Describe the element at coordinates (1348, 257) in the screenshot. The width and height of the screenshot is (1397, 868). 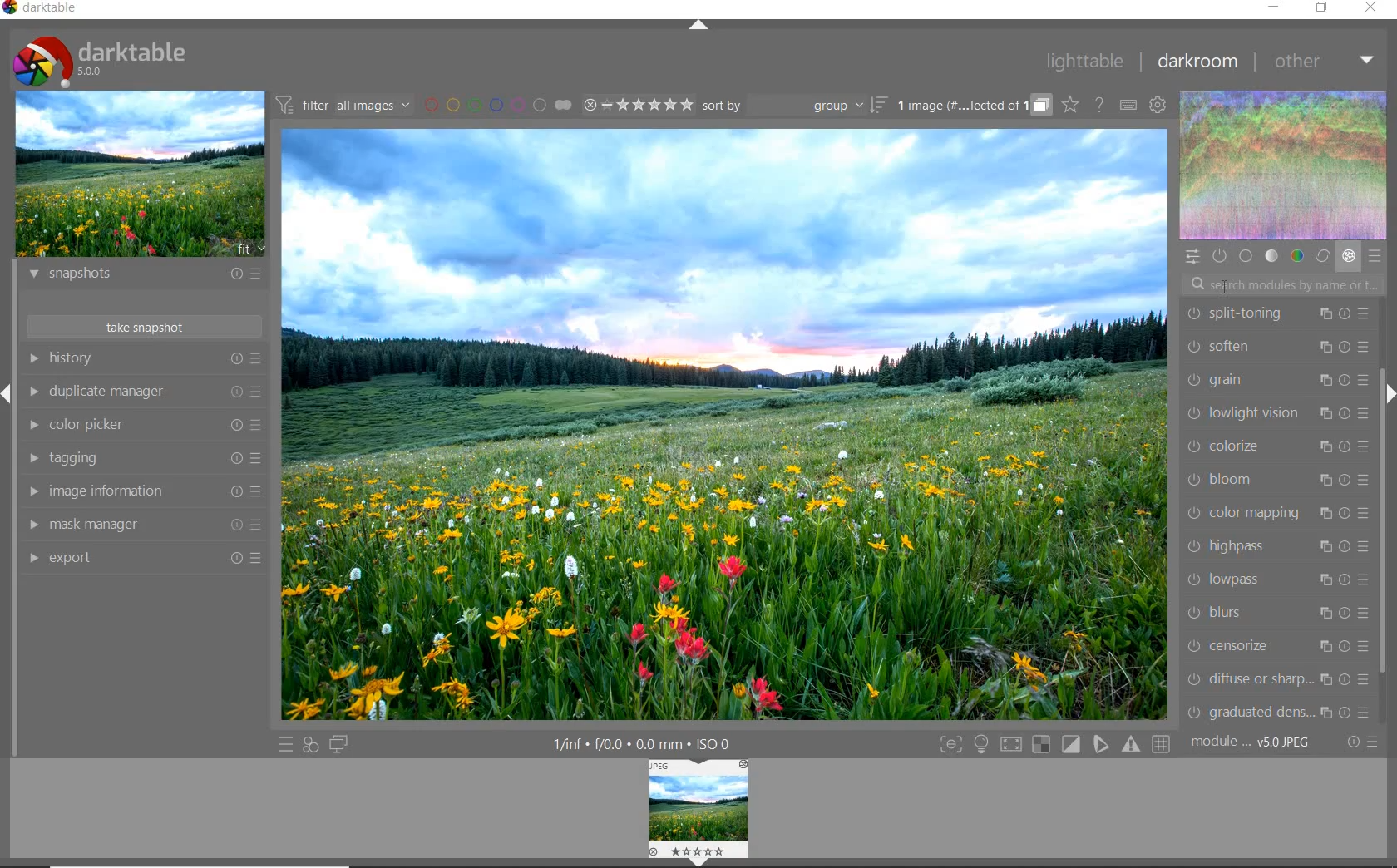
I see `effect` at that location.